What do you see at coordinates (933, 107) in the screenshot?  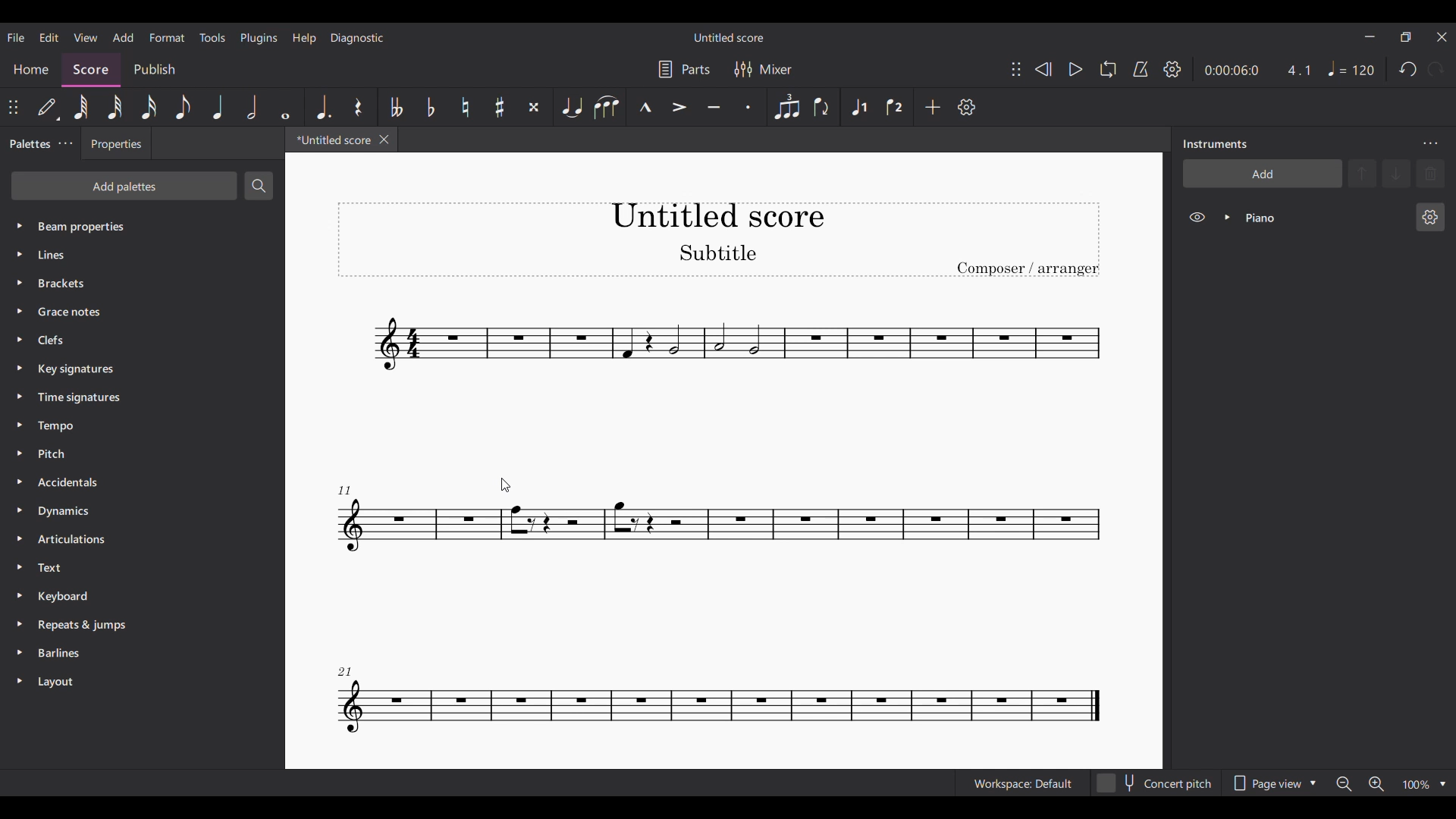 I see `Add` at bounding box center [933, 107].